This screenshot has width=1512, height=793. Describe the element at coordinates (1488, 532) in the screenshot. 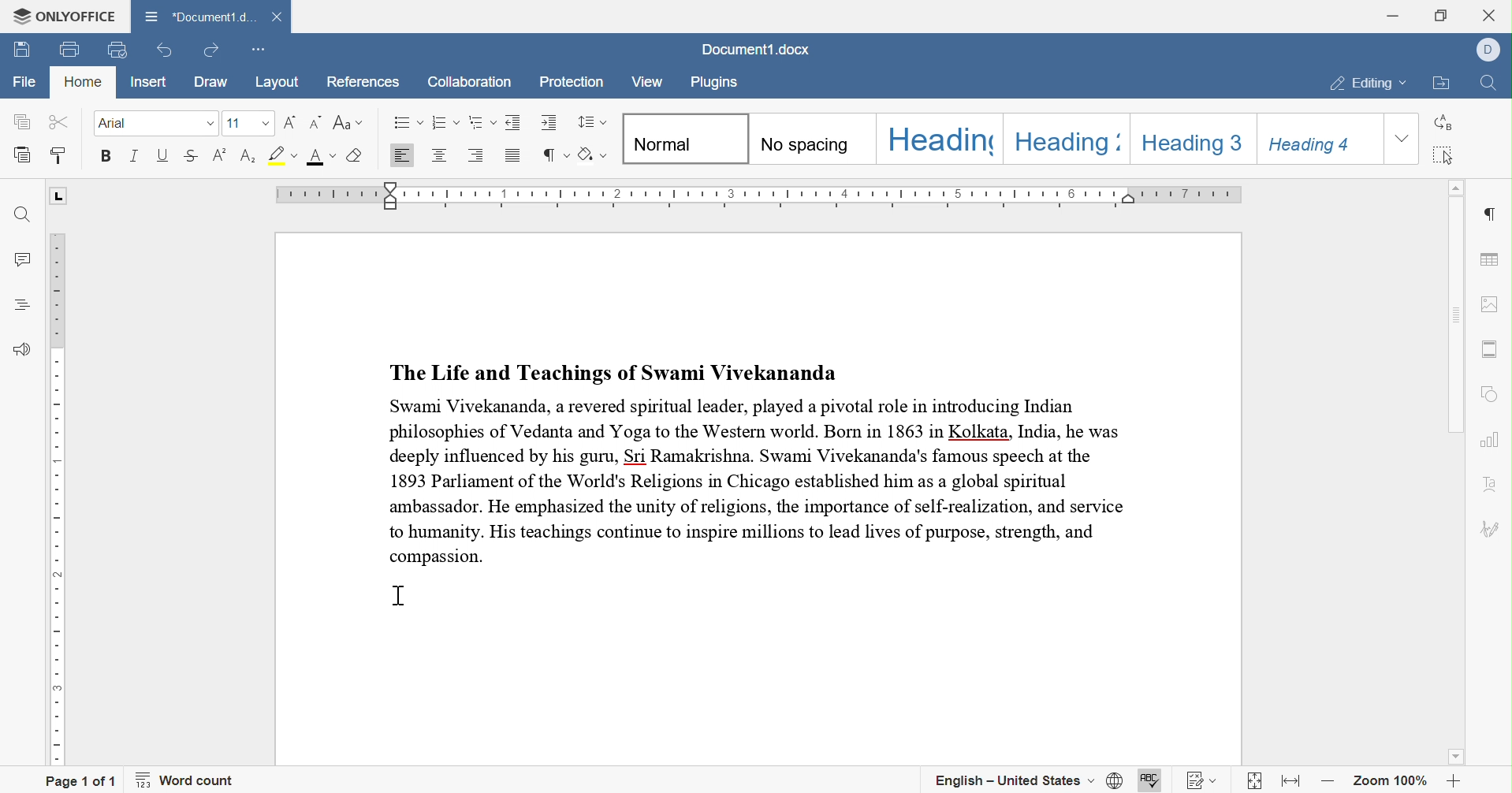

I see `signature settings` at that location.